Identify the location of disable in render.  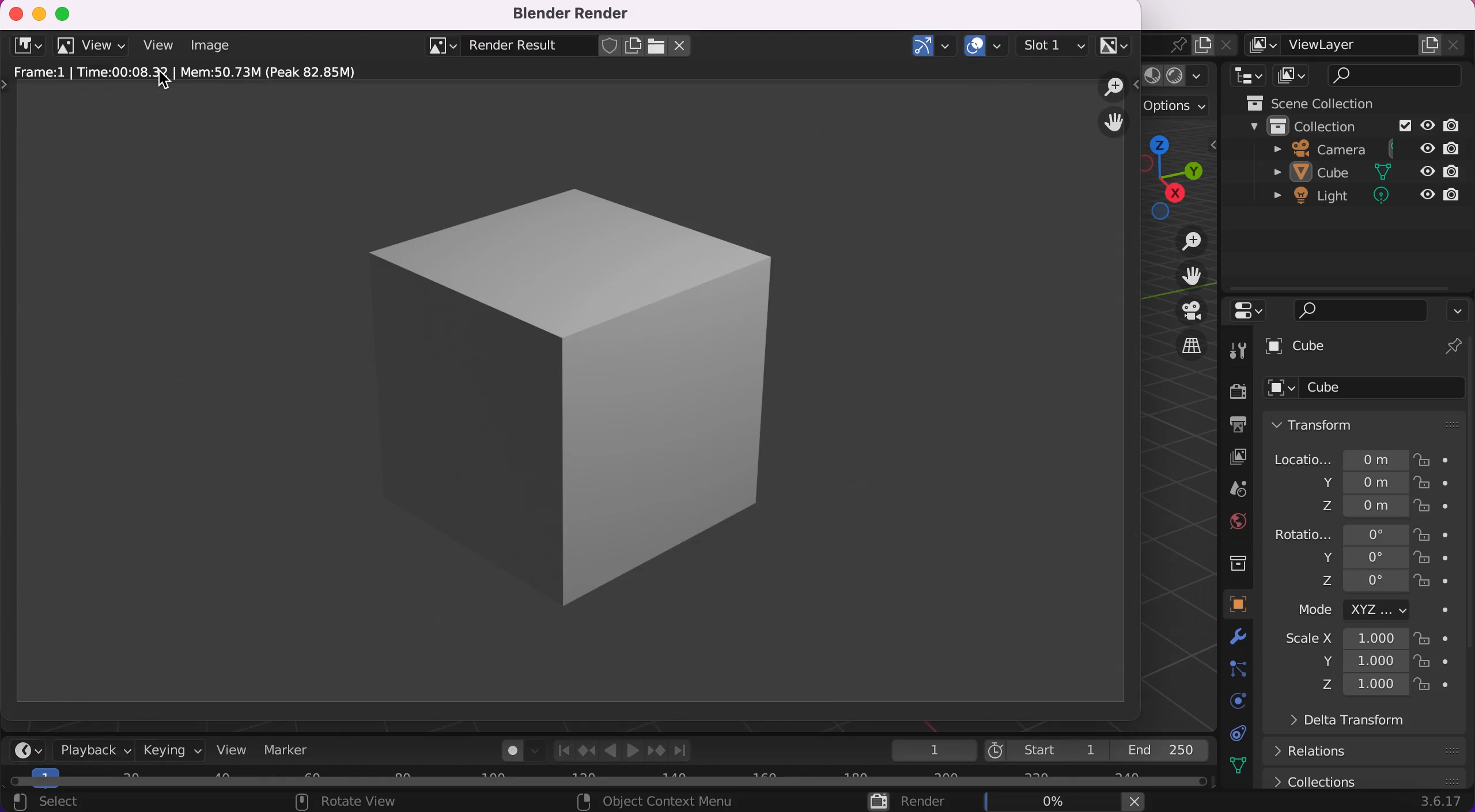
(1458, 126).